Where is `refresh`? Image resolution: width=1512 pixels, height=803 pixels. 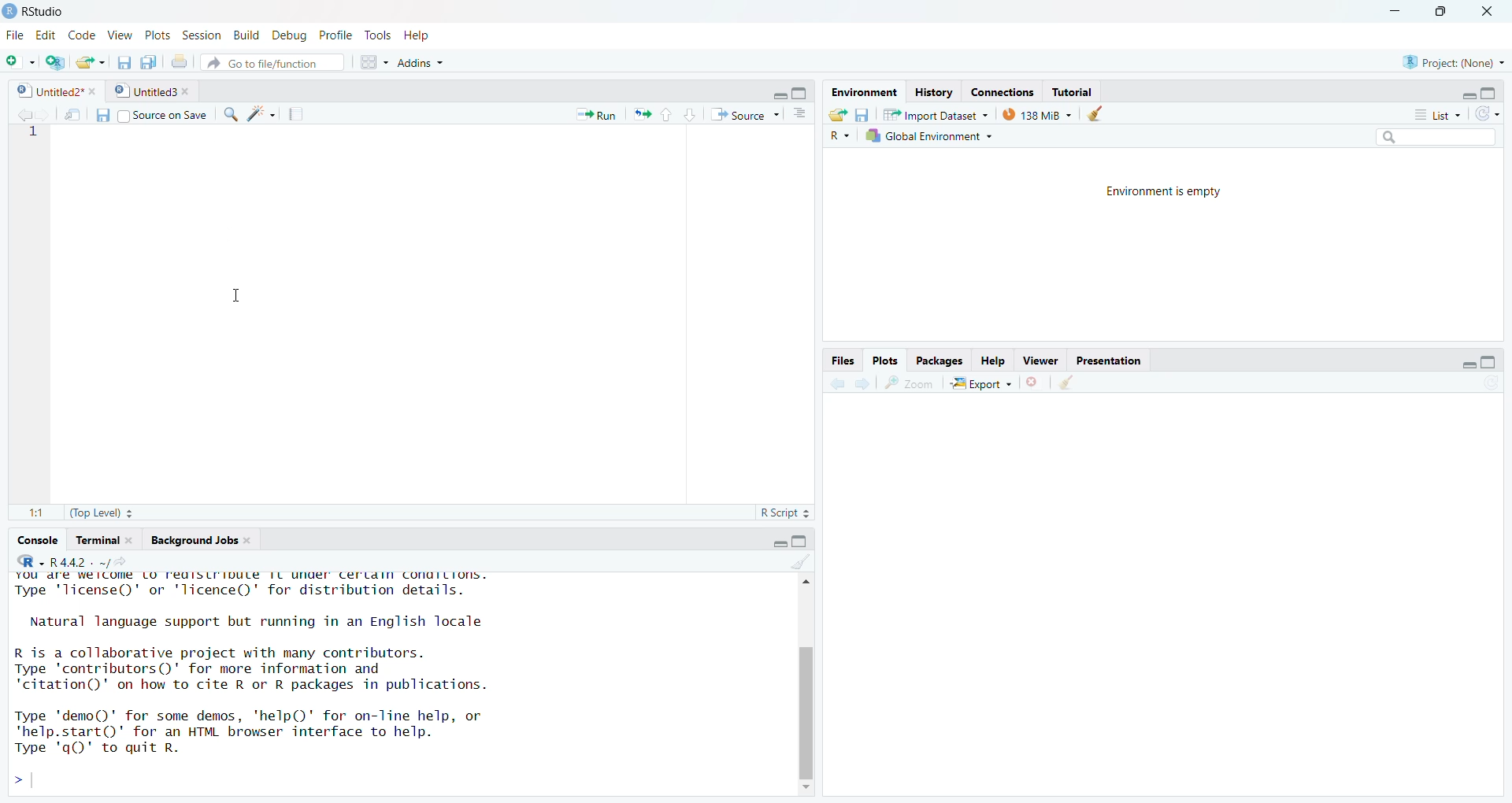
refresh is located at coordinates (1498, 113).